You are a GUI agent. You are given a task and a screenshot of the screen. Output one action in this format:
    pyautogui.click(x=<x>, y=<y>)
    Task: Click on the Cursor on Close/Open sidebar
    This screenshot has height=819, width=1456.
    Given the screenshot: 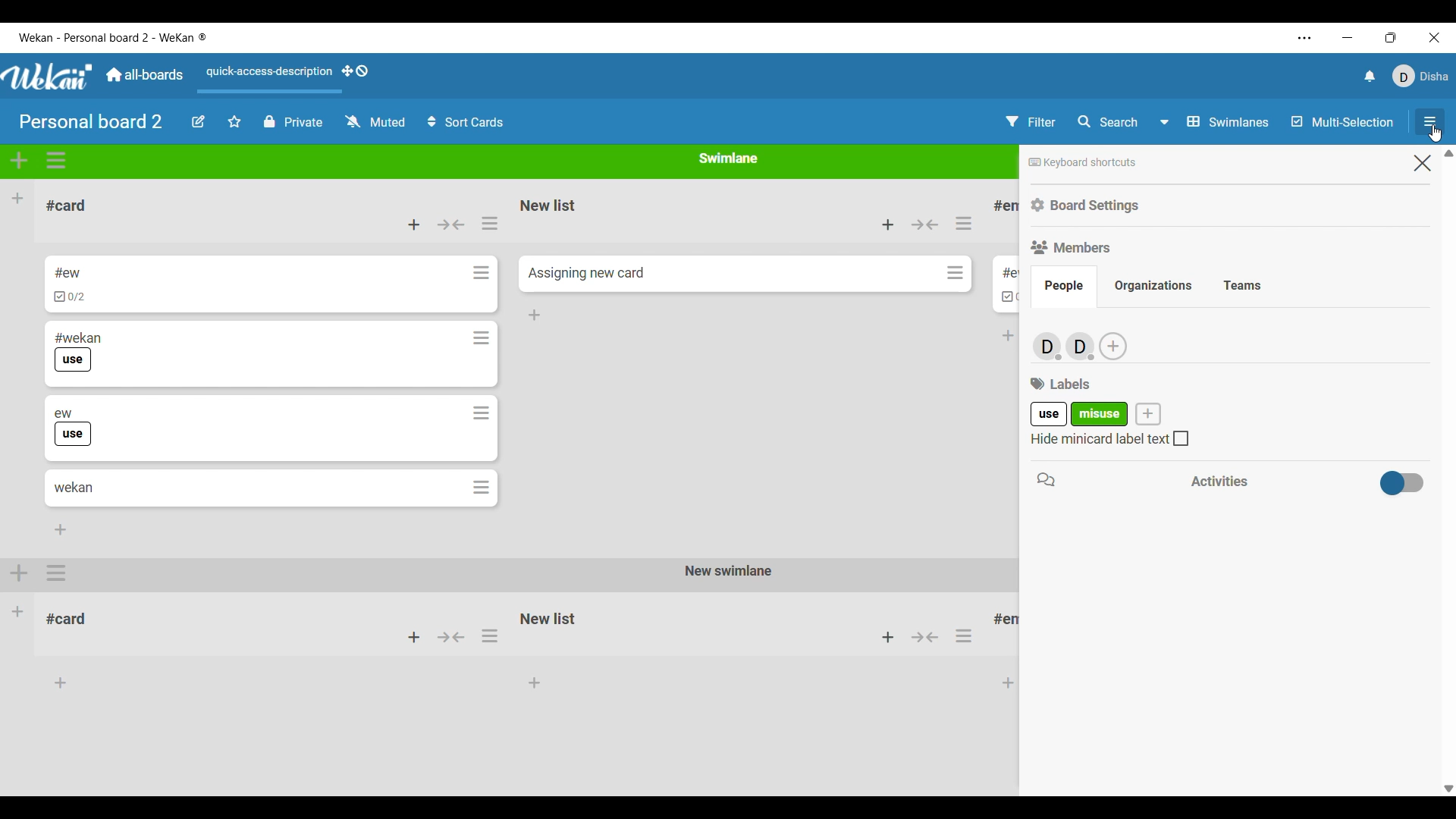 What is the action you would take?
    pyautogui.click(x=1429, y=125)
    